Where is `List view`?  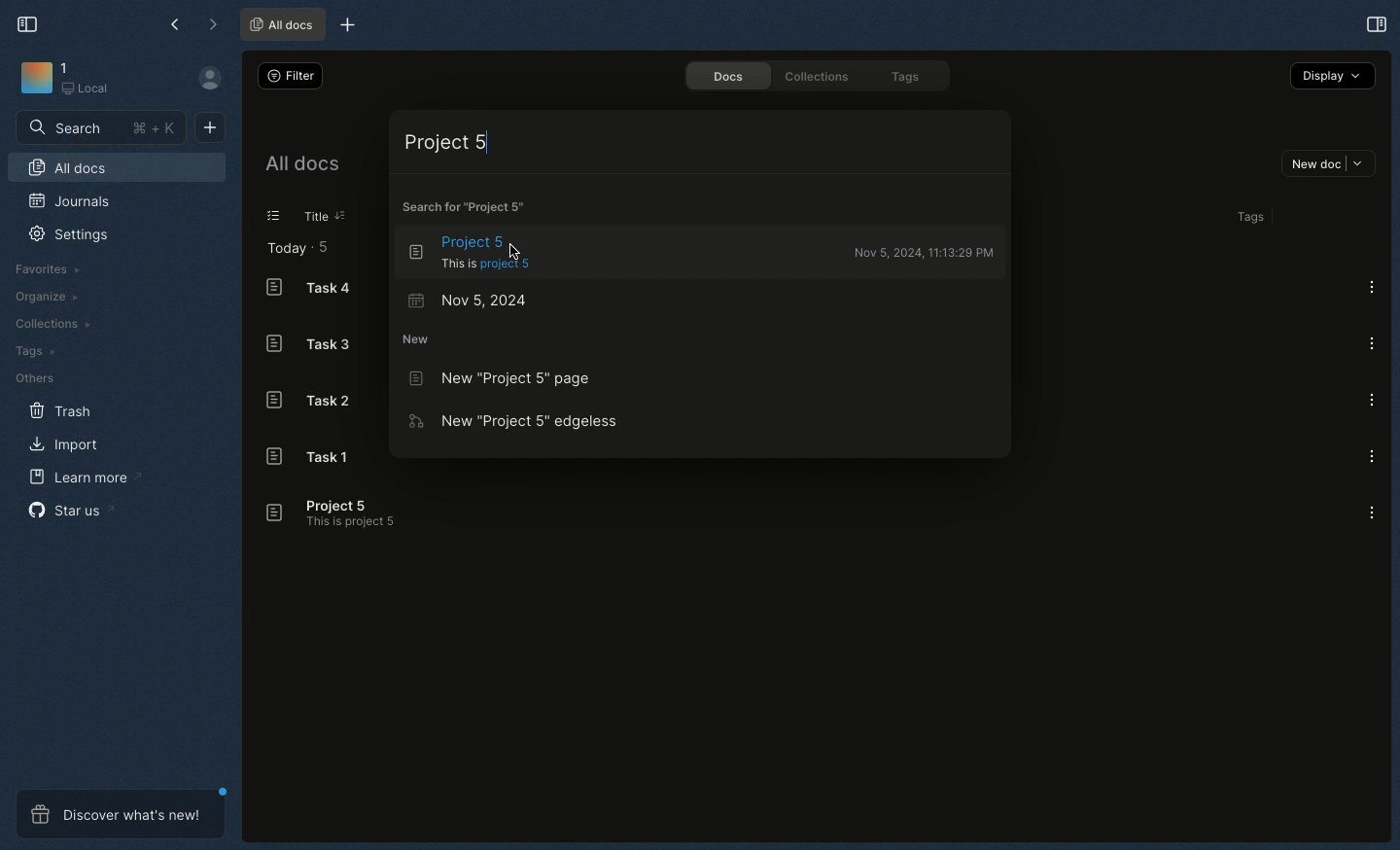 List view is located at coordinates (274, 216).